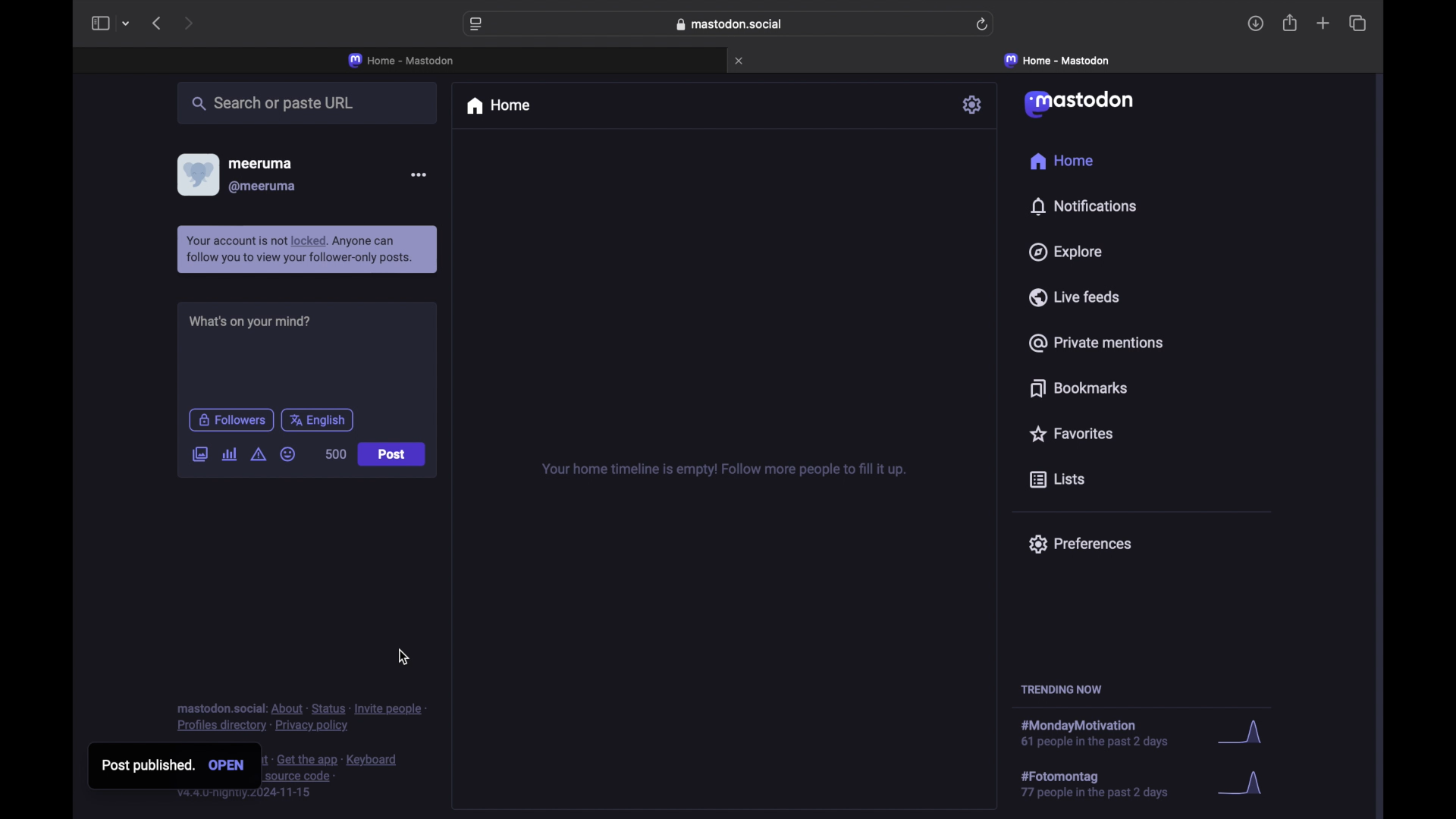 This screenshot has height=819, width=1456. Describe the element at coordinates (1083, 206) in the screenshot. I see `notifications` at that location.